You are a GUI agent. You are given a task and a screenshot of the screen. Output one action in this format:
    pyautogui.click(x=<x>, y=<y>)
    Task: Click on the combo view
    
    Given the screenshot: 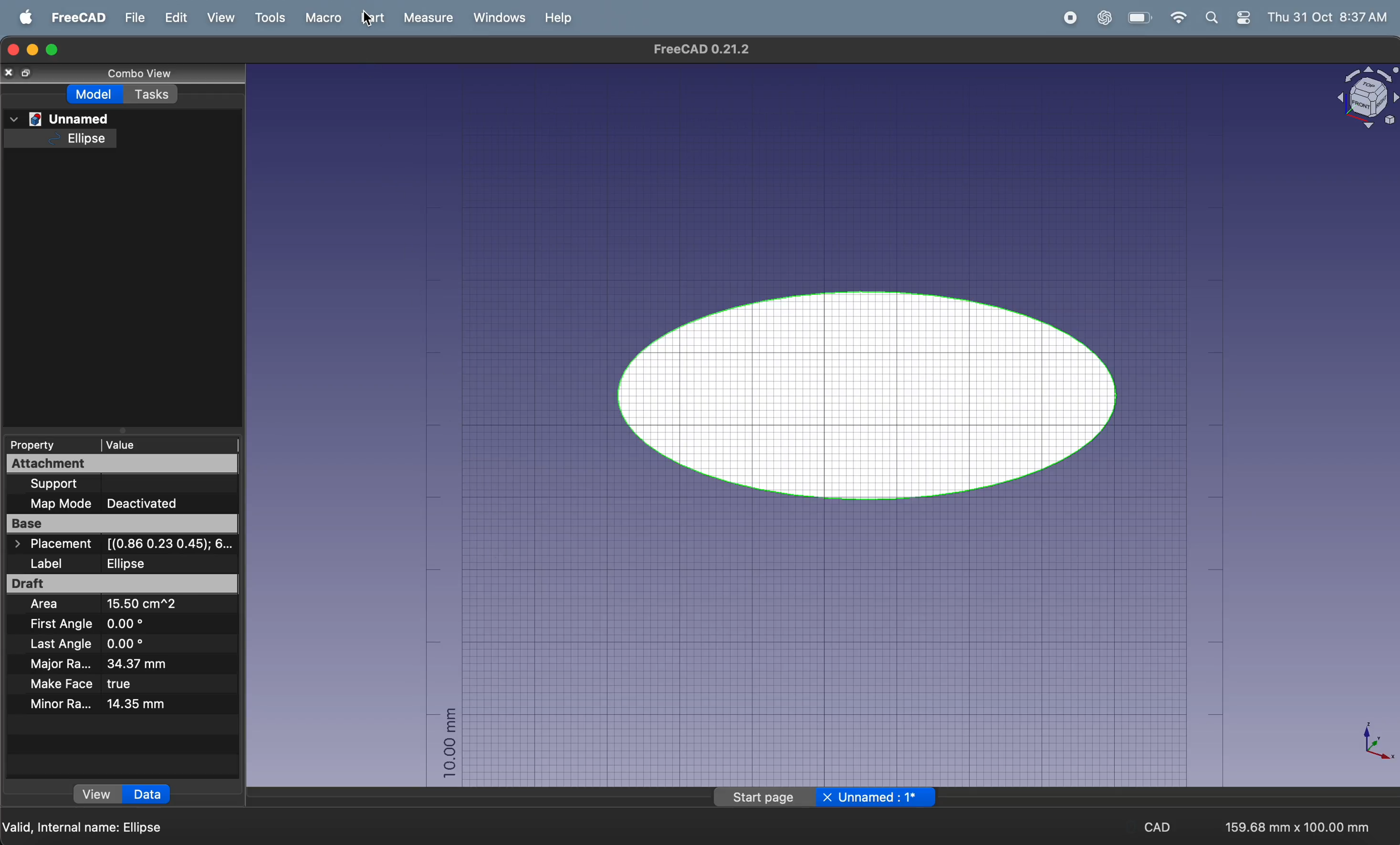 What is the action you would take?
    pyautogui.click(x=152, y=76)
    